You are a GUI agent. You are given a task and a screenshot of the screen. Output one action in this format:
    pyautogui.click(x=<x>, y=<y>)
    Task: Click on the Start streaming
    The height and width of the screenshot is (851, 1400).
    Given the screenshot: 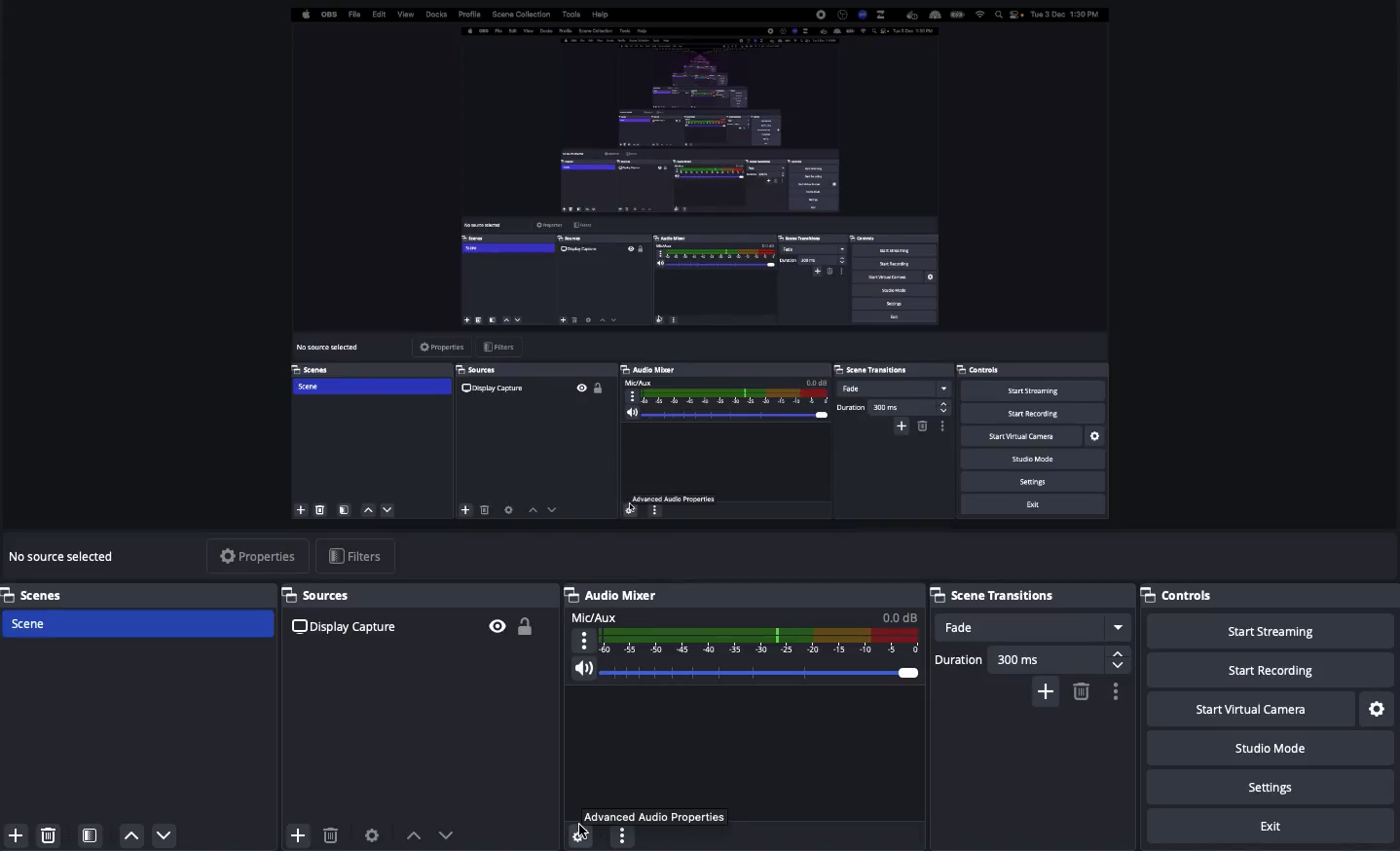 What is the action you would take?
    pyautogui.click(x=1272, y=631)
    